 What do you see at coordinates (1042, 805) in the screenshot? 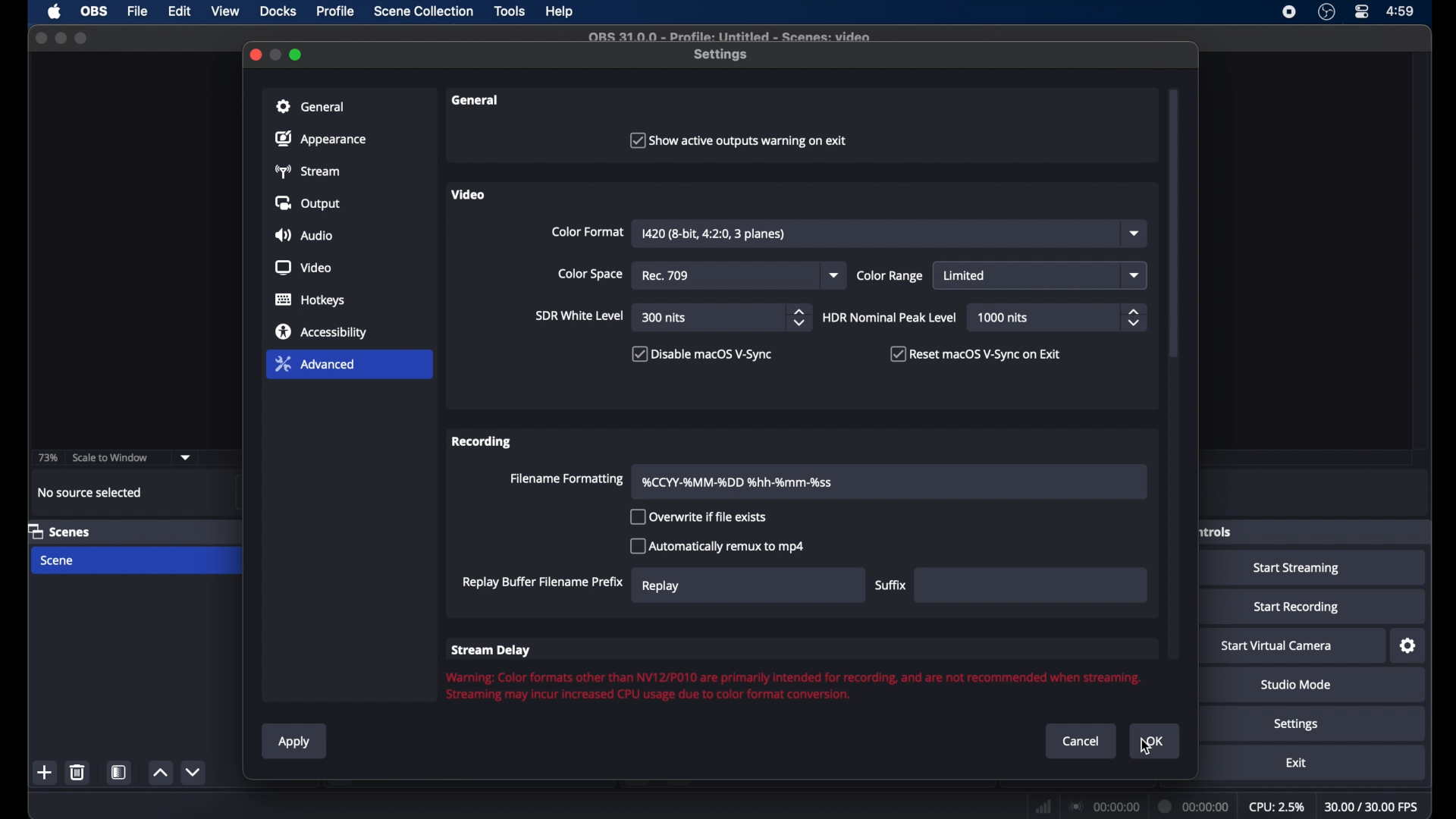
I see `network` at bounding box center [1042, 805].